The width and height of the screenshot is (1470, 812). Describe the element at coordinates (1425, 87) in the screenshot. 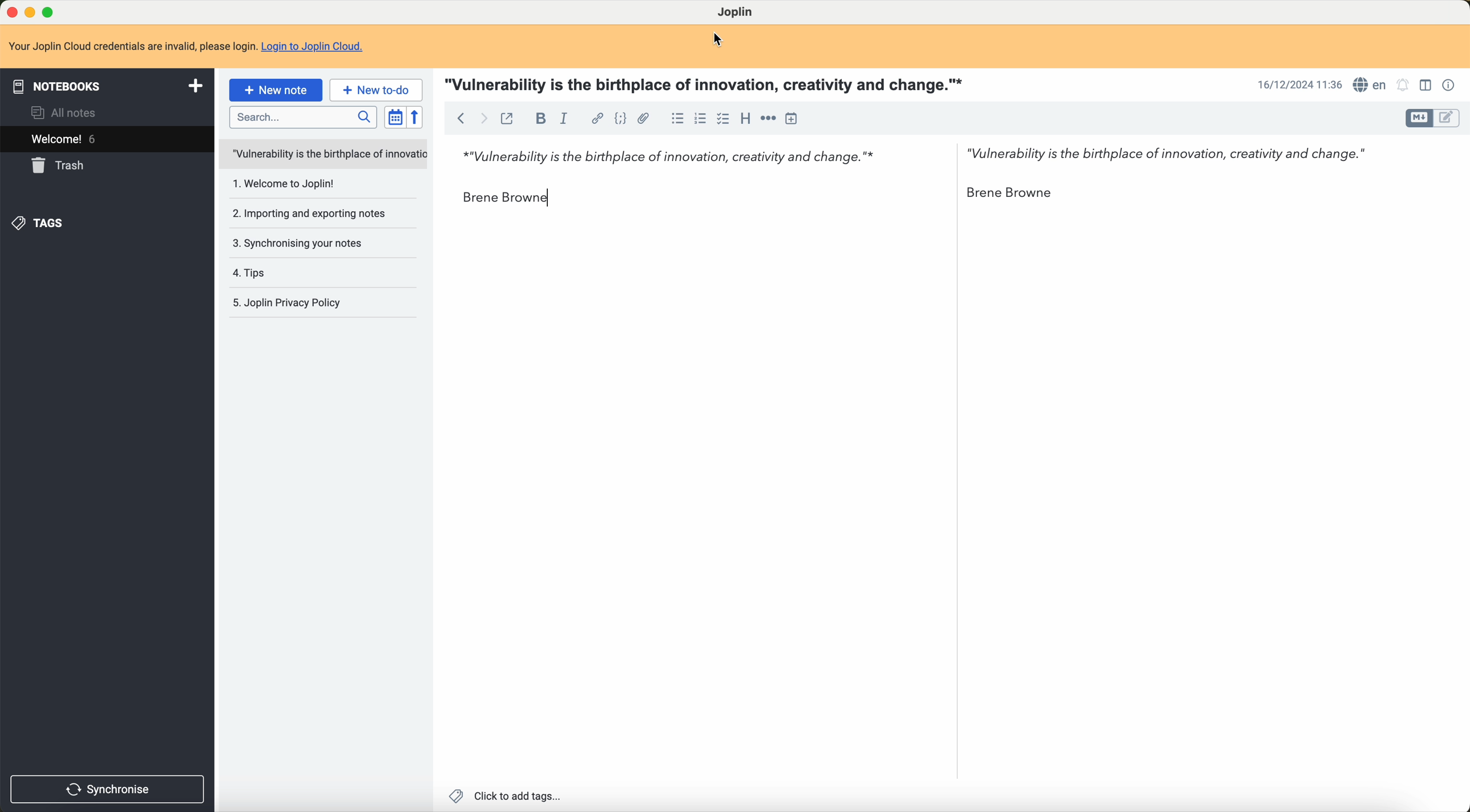

I see `toggle editor layout` at that location.